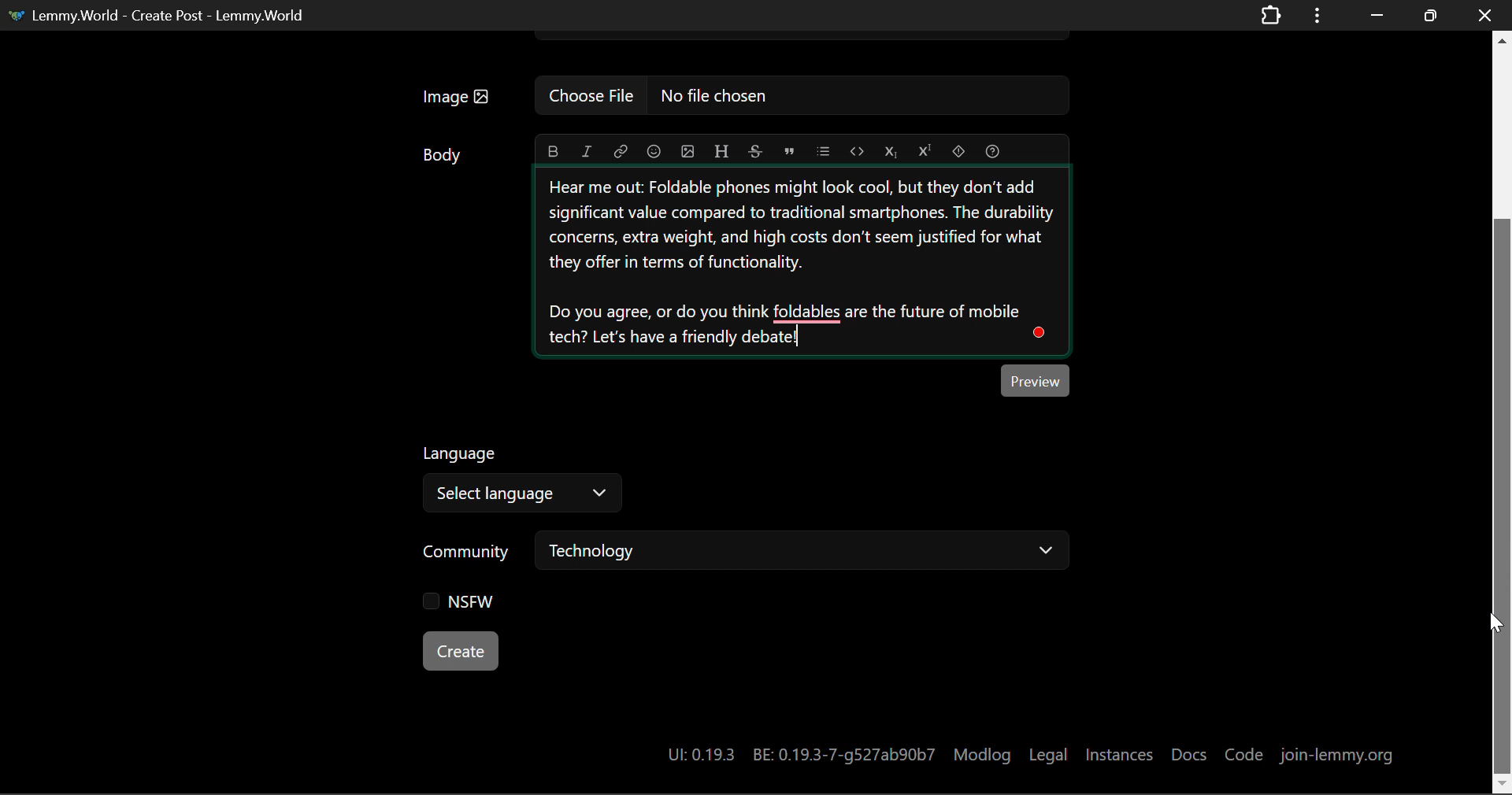 Image resolution: width=1512 pixels, height=795 pixels. I want to click on DRAG_TO Cursor Position, so click(1501, 630).